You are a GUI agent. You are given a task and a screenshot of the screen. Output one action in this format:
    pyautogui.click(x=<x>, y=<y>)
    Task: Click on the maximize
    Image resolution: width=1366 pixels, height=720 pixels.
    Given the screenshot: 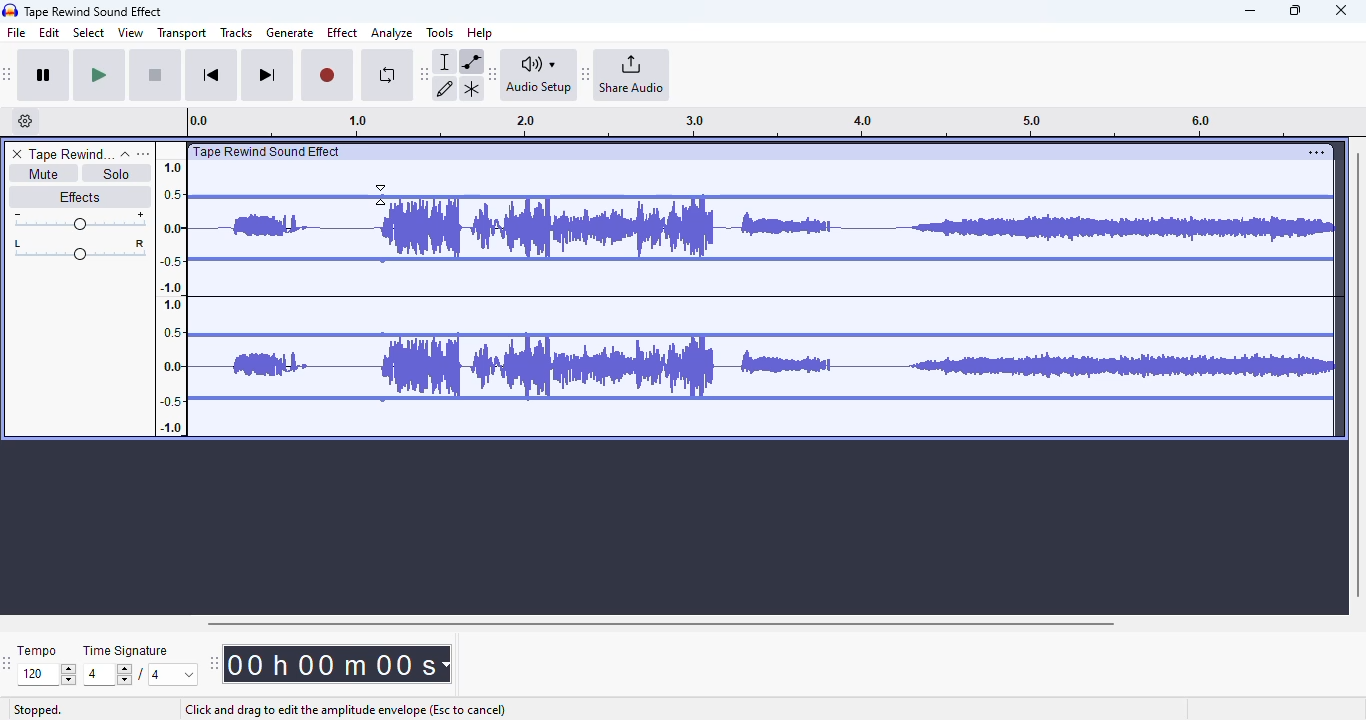 What is the action you would take?
    pyautogui.click(x=1295, y=10)
    